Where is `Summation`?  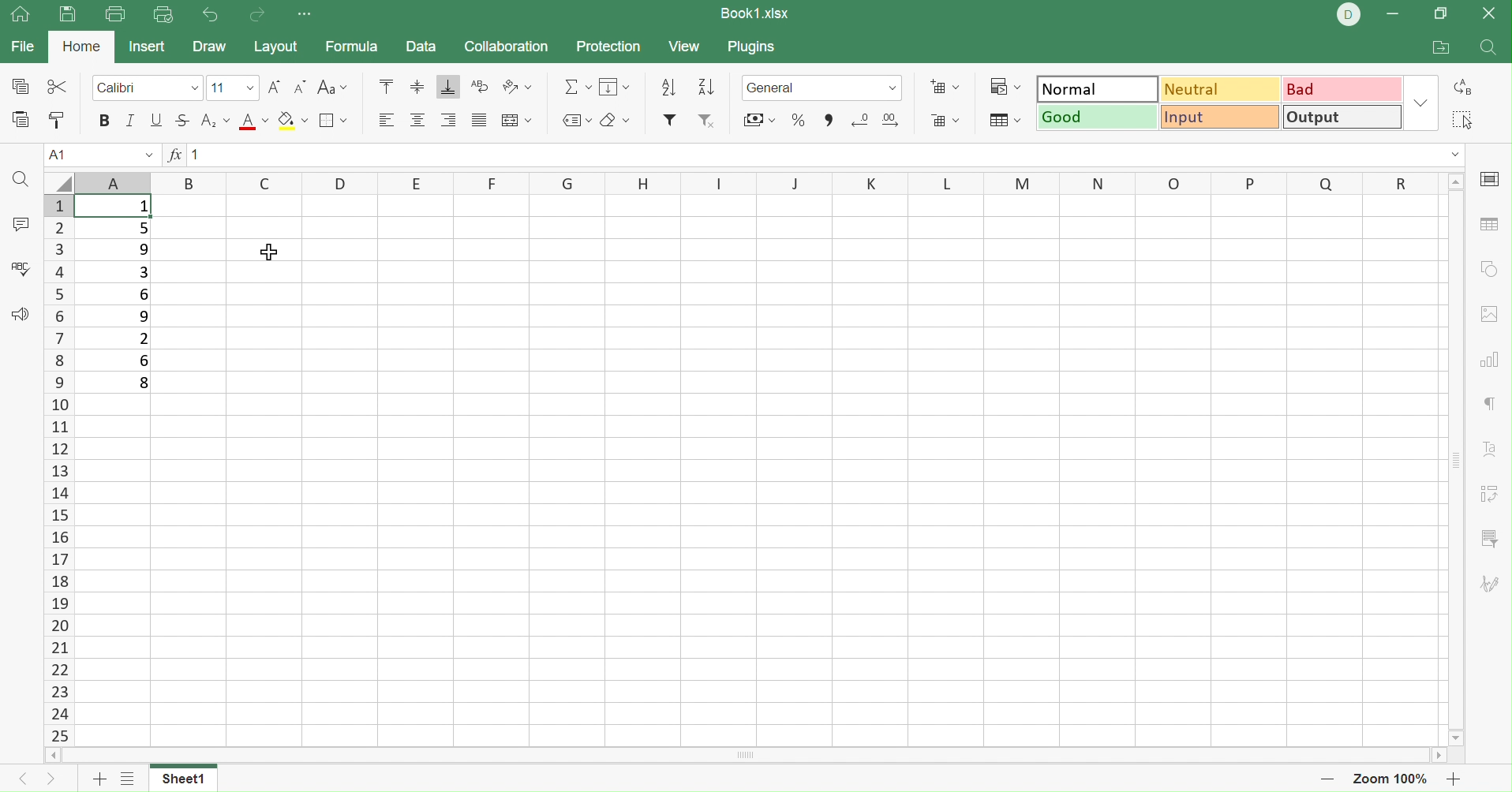 Summation is located at coordinates (577, 87).